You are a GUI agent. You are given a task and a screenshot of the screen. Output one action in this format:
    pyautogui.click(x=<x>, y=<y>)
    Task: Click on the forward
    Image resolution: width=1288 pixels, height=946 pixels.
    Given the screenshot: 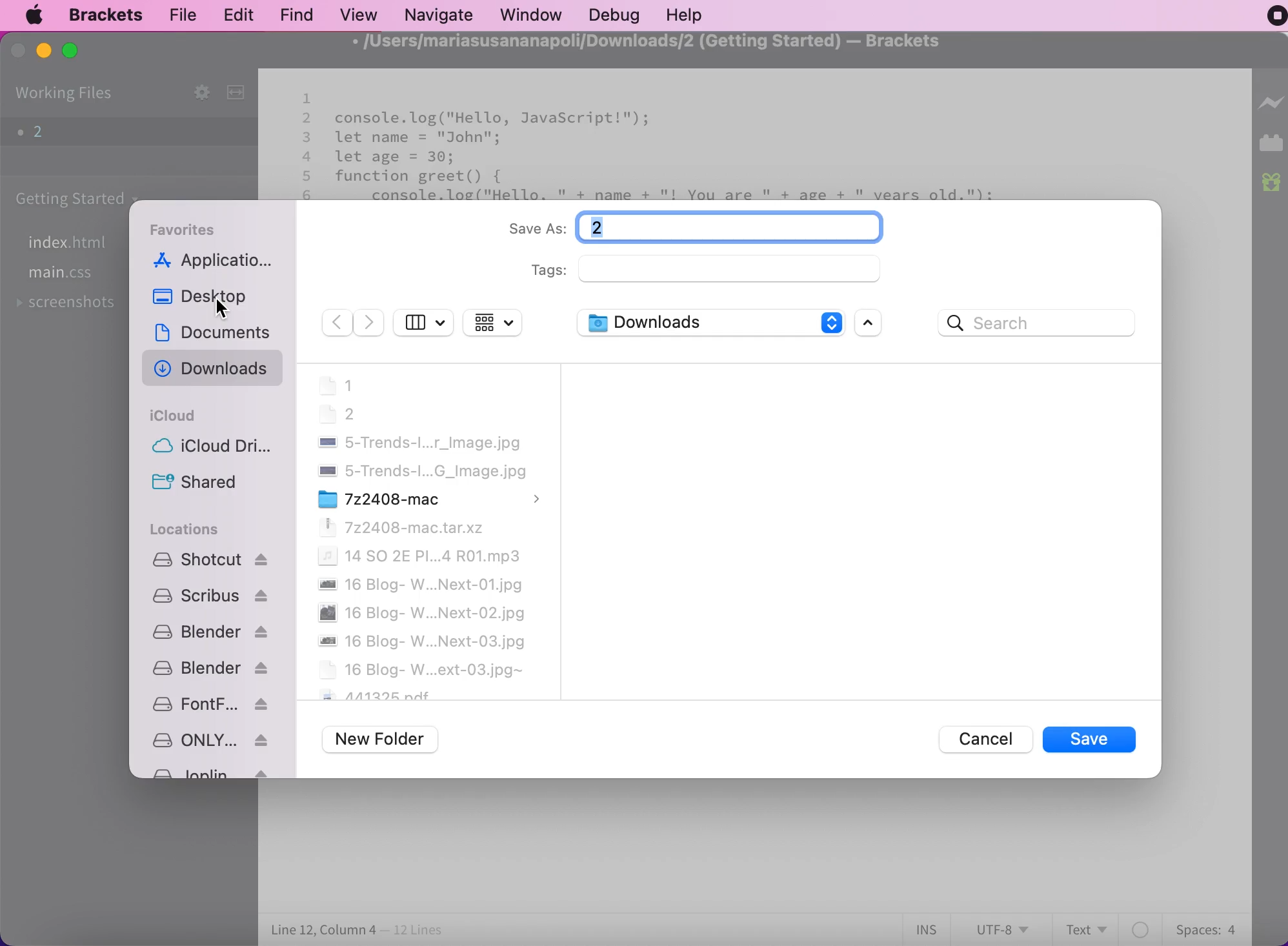 What is the action you would take?
    pyautogui.click(x=370, y=323)
    